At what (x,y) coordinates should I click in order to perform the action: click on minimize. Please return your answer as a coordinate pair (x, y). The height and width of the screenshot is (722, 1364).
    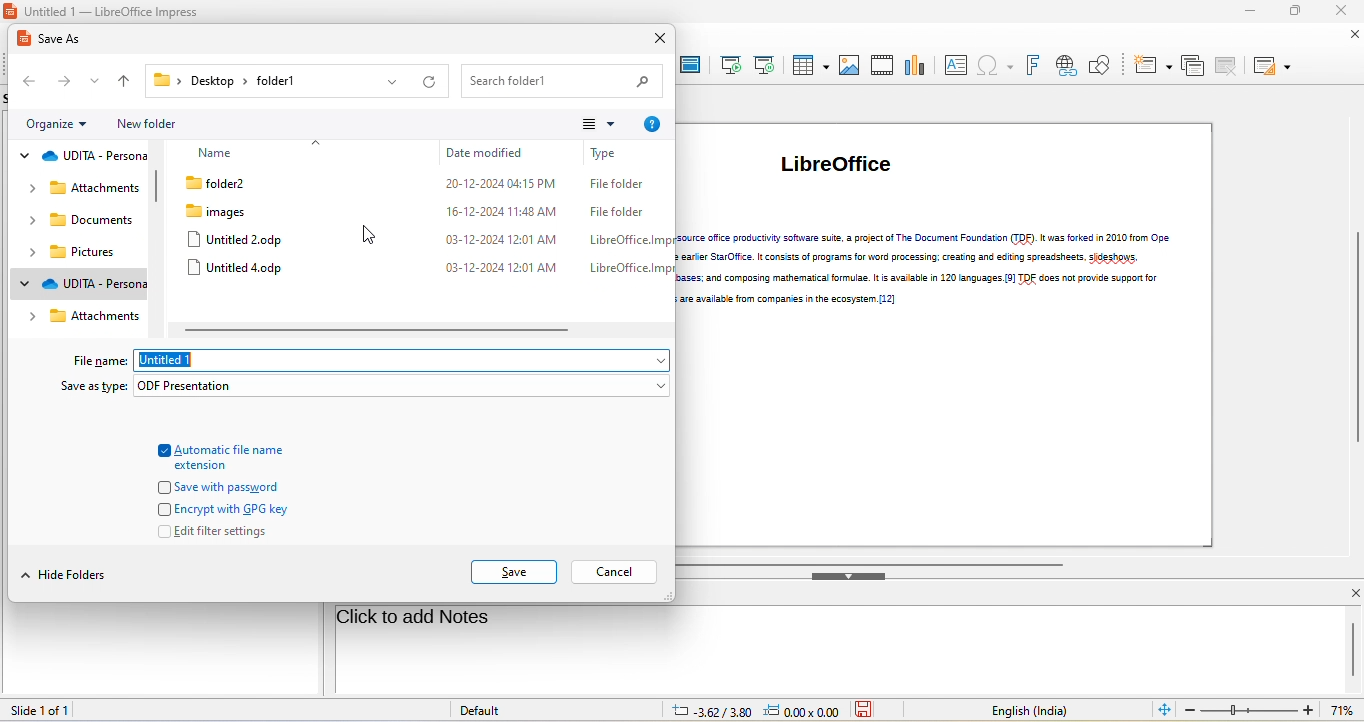
    Looking at the image, I should click on (1253, 12).